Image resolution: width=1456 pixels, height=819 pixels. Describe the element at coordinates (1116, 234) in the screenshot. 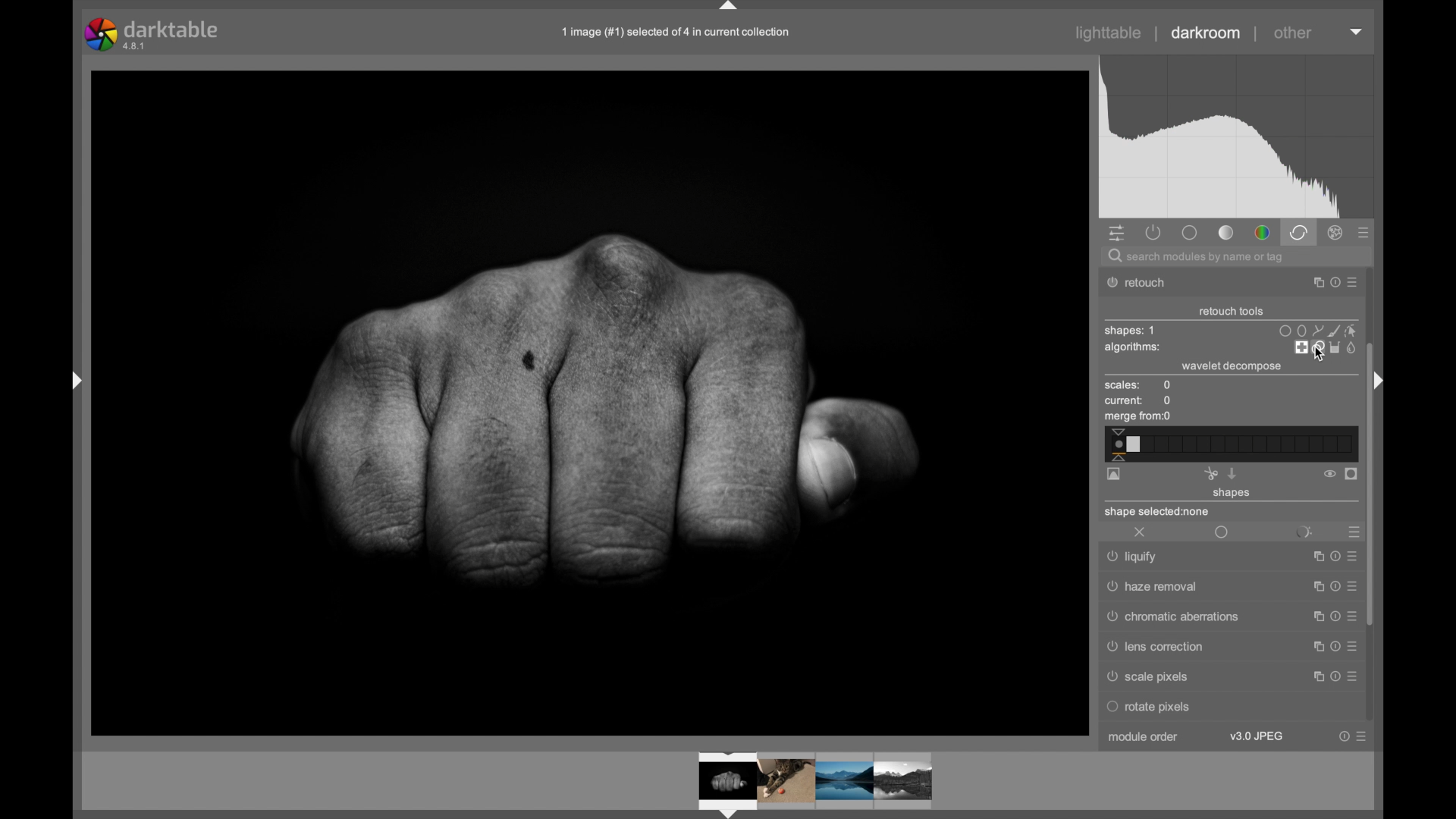

I see `show quick panel` at that location.